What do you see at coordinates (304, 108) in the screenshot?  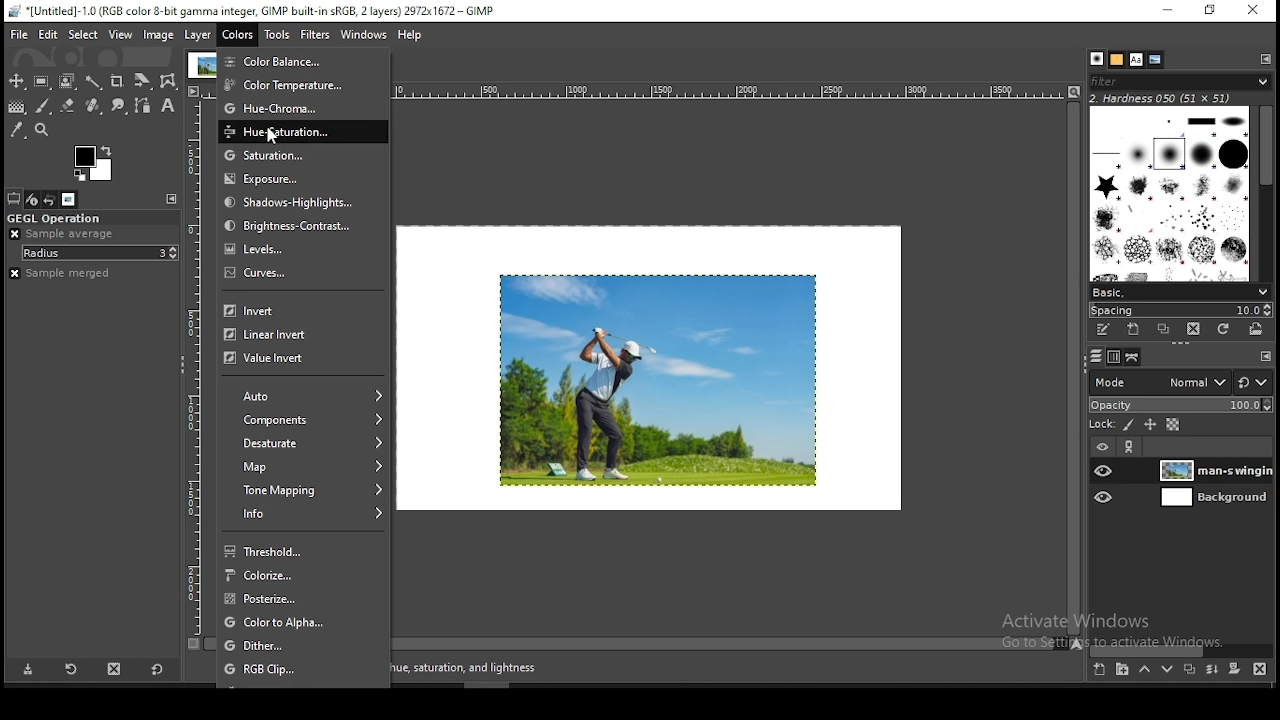 I see `hue chroma` at bounding box center [304, 108].